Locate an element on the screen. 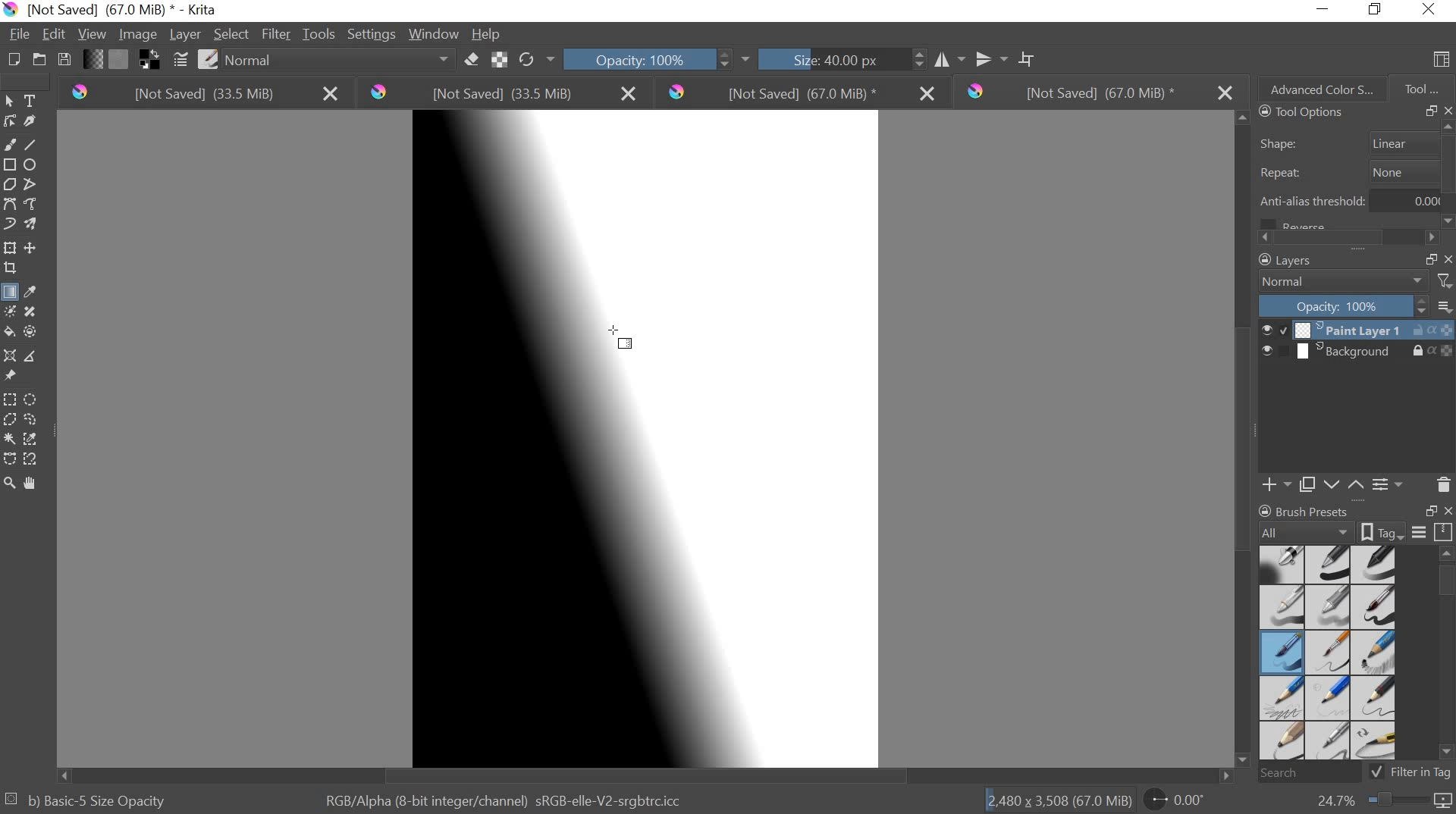 This screenshot has width=1456, height=814. MINIMIZE is located at coordinates (1324, 7).